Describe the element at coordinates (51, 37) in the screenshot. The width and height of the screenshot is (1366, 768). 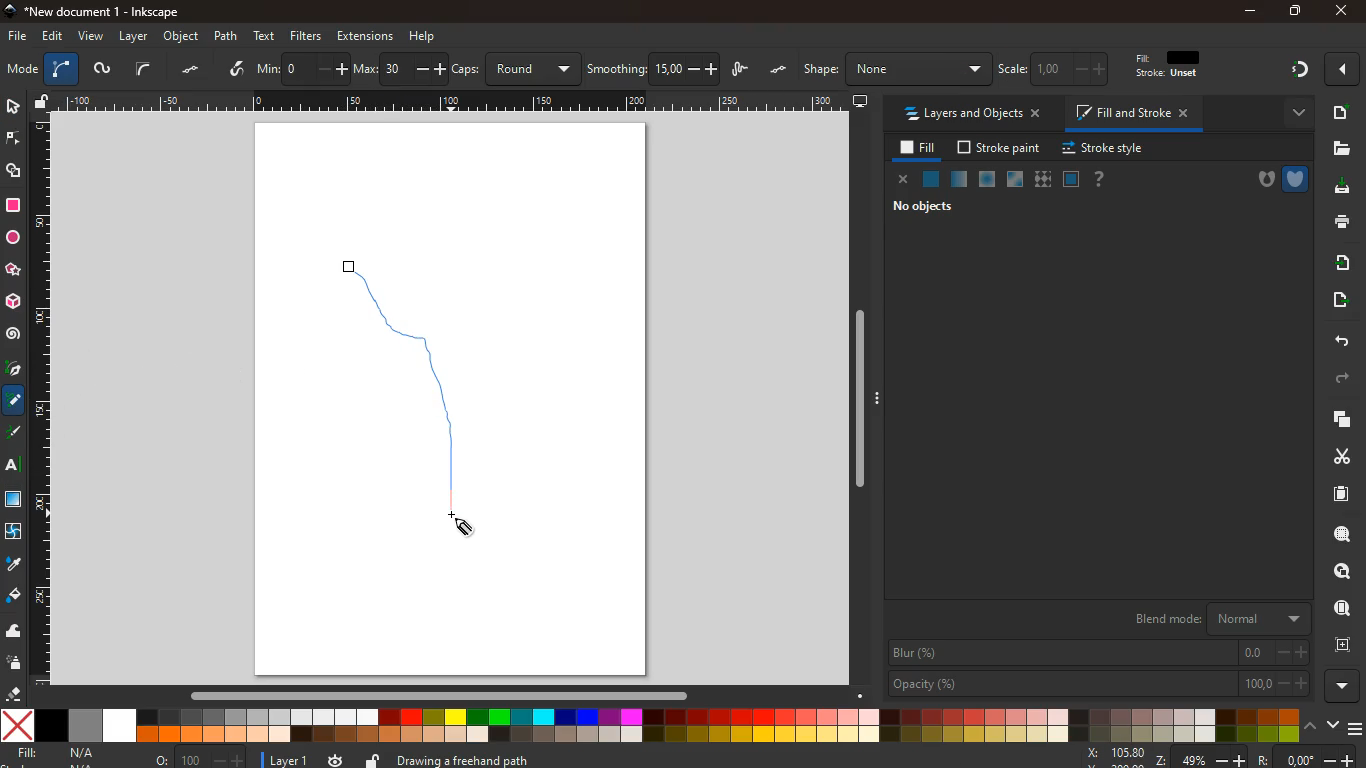
I see `edit` at that location.